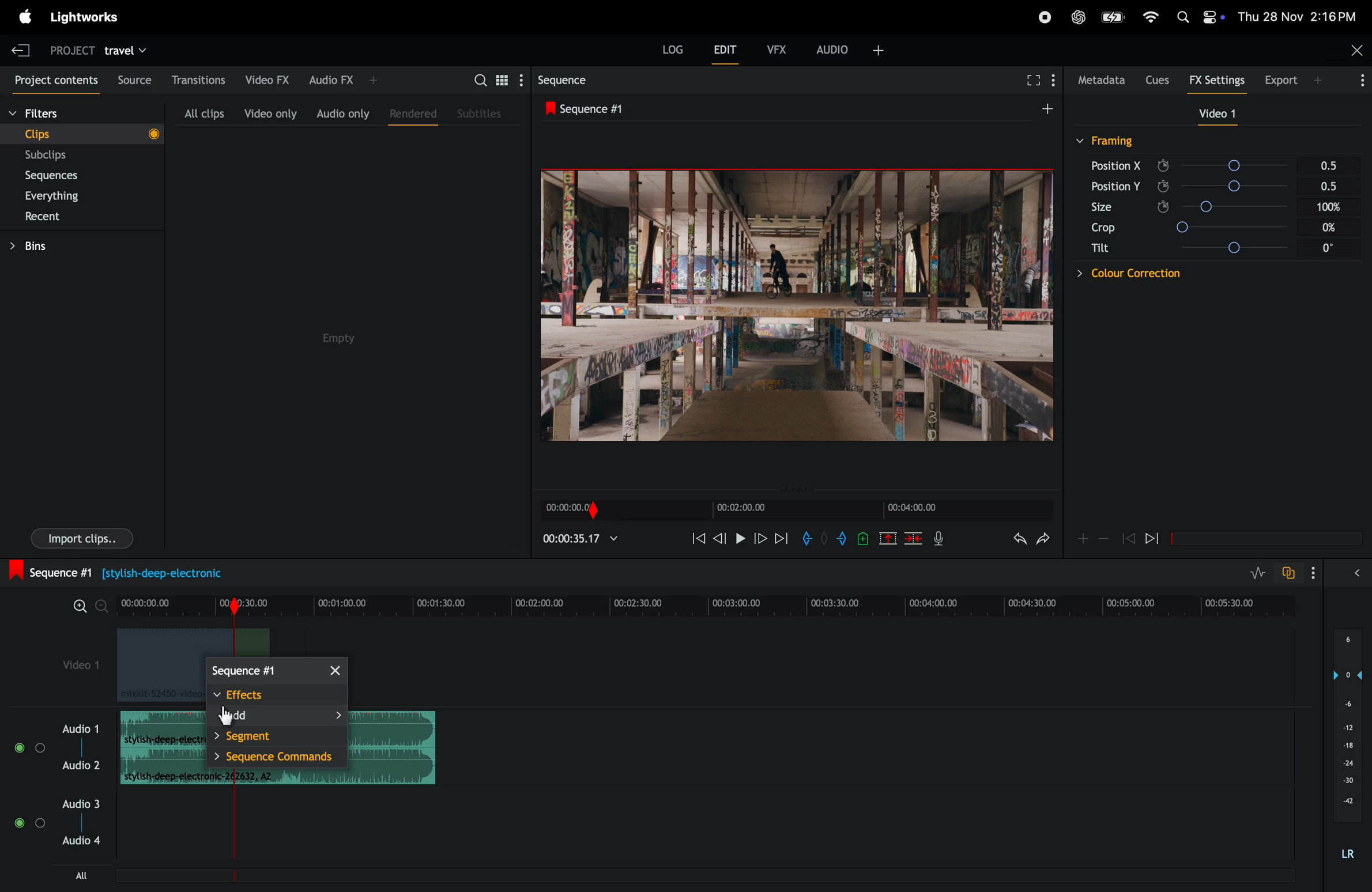  What do you see at coordinates (22, 17) in the screenshot?
I see `apple menu` at bounding box center [22, 17].